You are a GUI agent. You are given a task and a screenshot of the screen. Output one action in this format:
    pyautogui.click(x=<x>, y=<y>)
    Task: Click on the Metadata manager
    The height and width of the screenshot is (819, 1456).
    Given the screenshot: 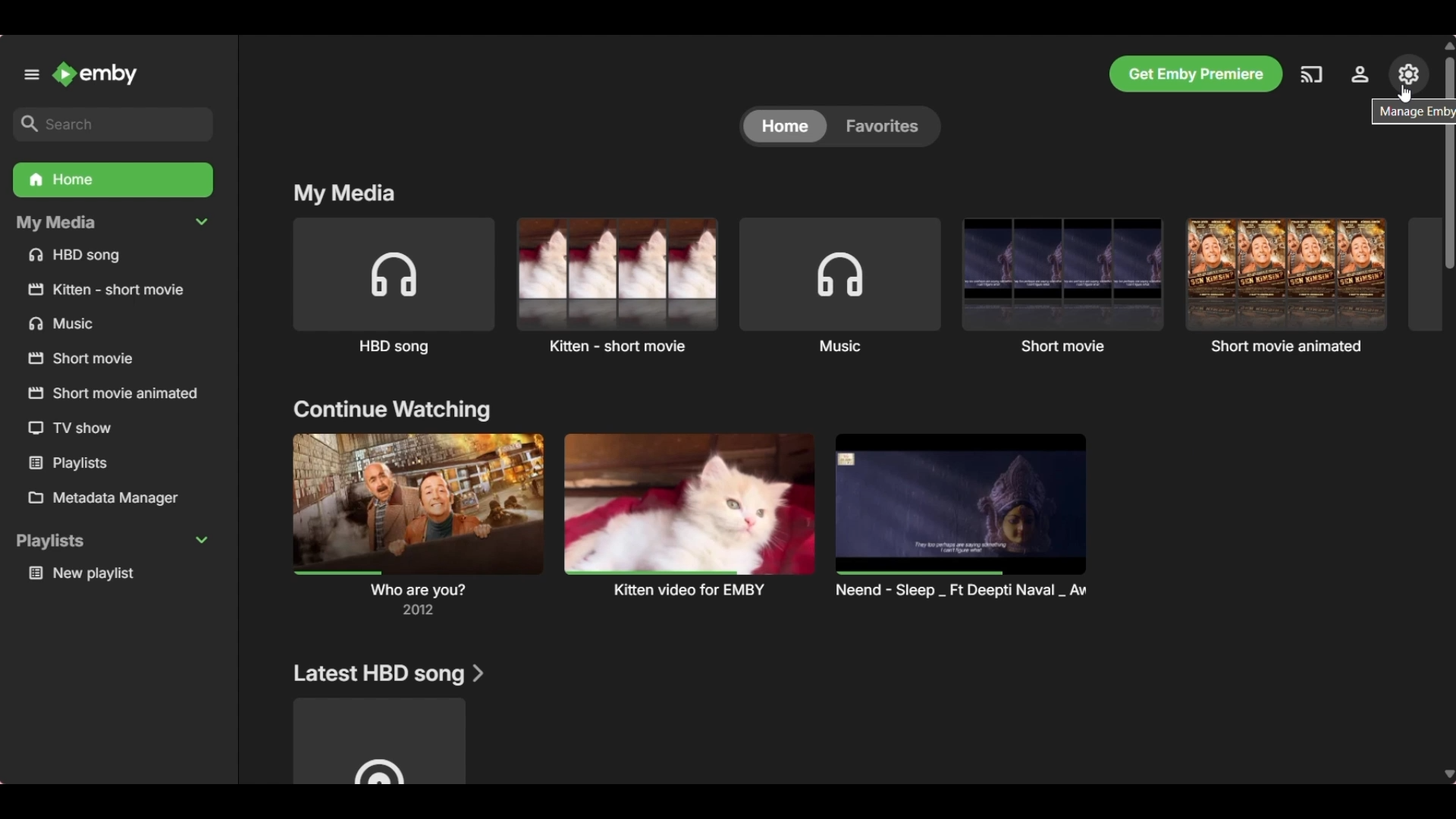 What is the action you would take?
    pyautogui.click(x=114, y=498)
    